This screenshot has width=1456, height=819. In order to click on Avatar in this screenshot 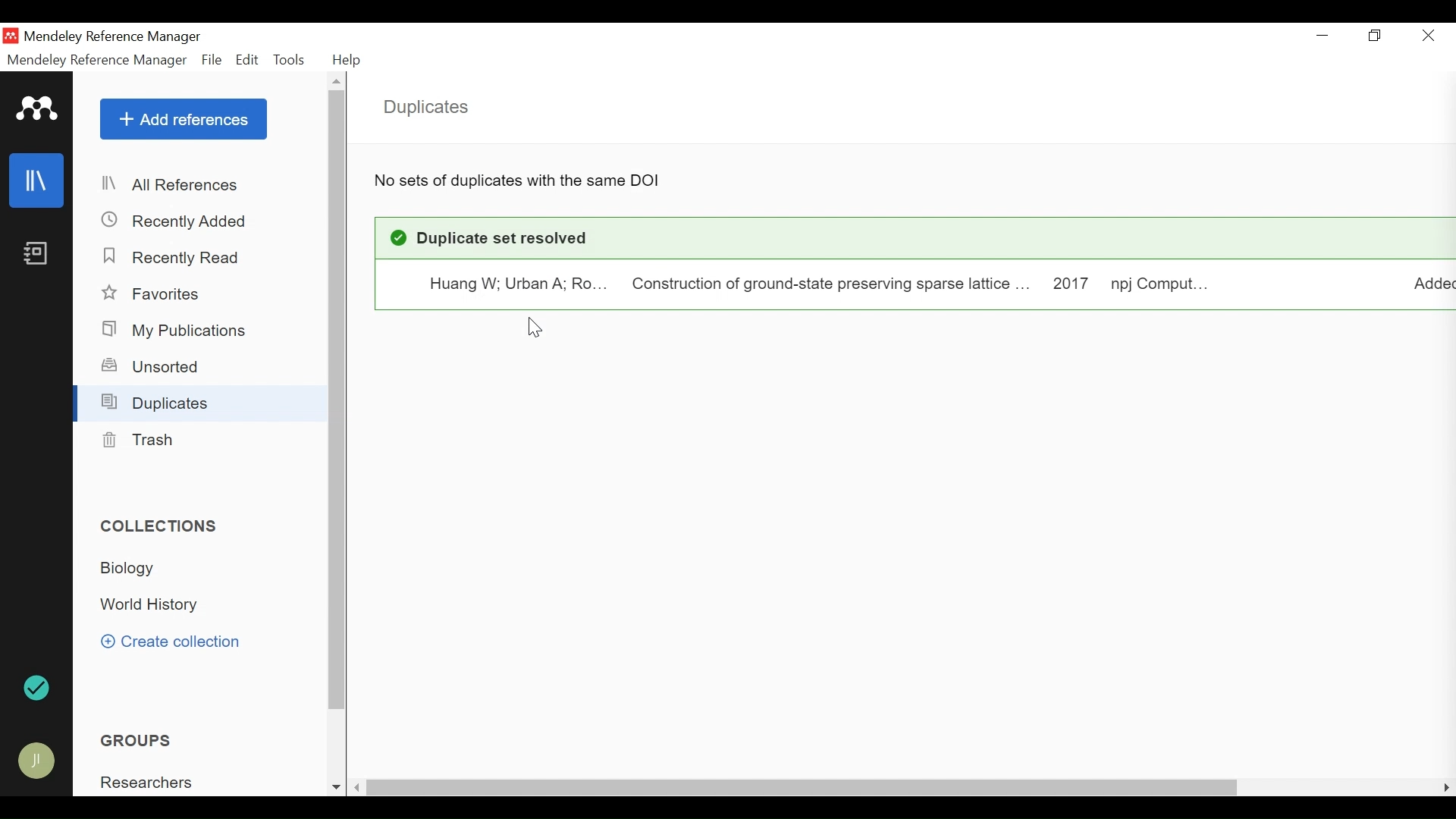, I will do `click(39, 758)`.